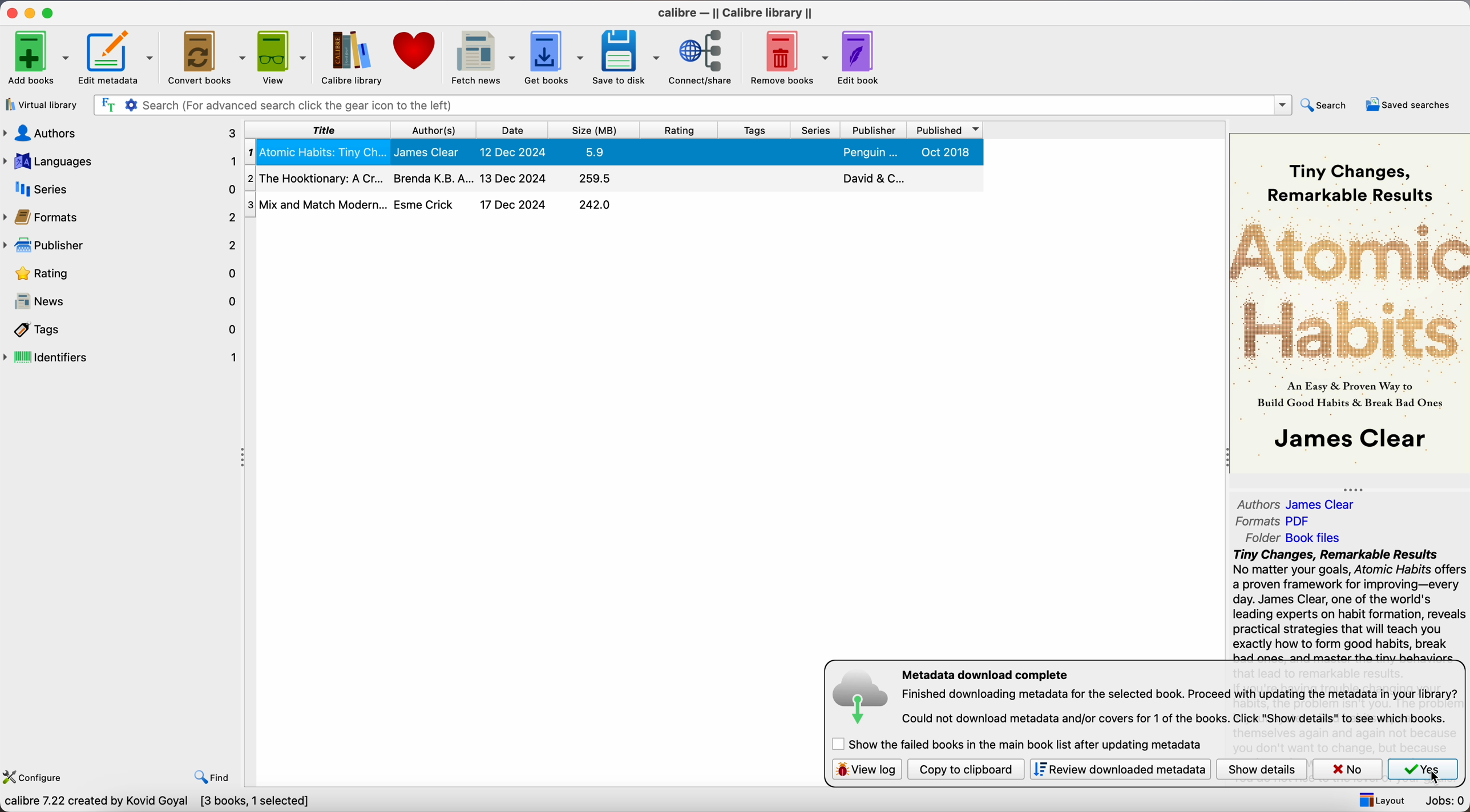 The image size is (1470, 812). Describe the element at coordinates (120, 160) in the screenshot. I see `languages` at that location.